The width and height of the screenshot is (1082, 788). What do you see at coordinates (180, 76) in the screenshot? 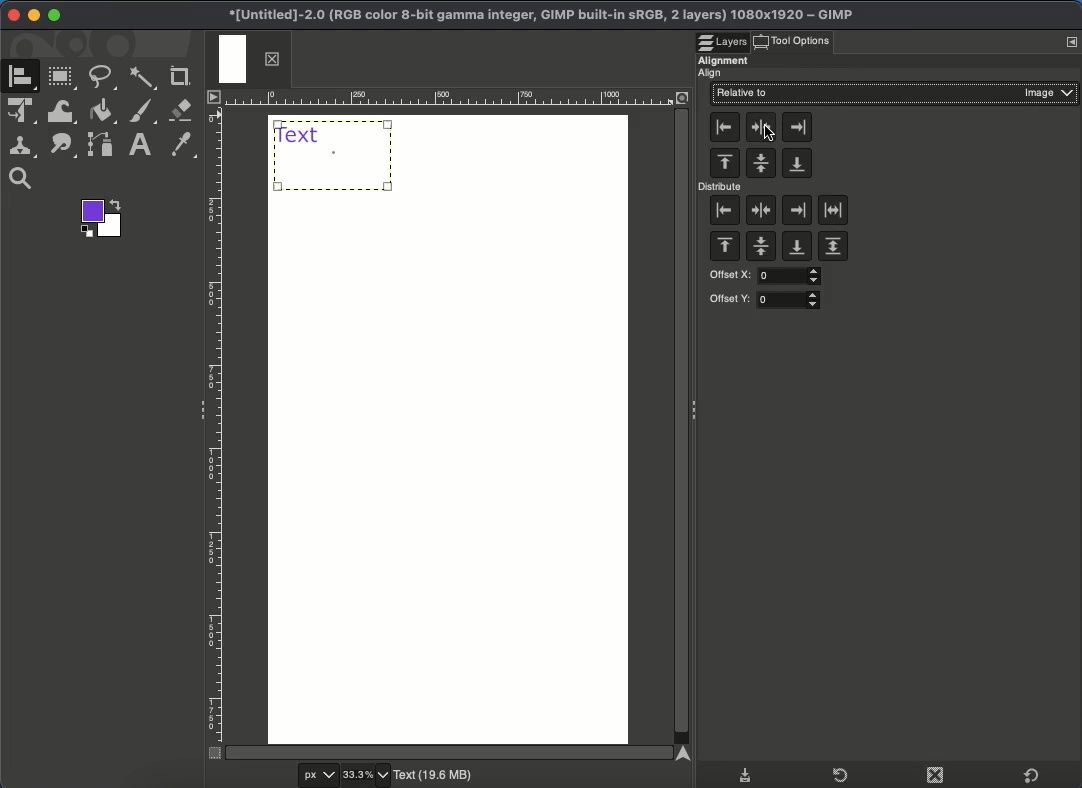
I see `Crop` at bounding box center [180, 76].